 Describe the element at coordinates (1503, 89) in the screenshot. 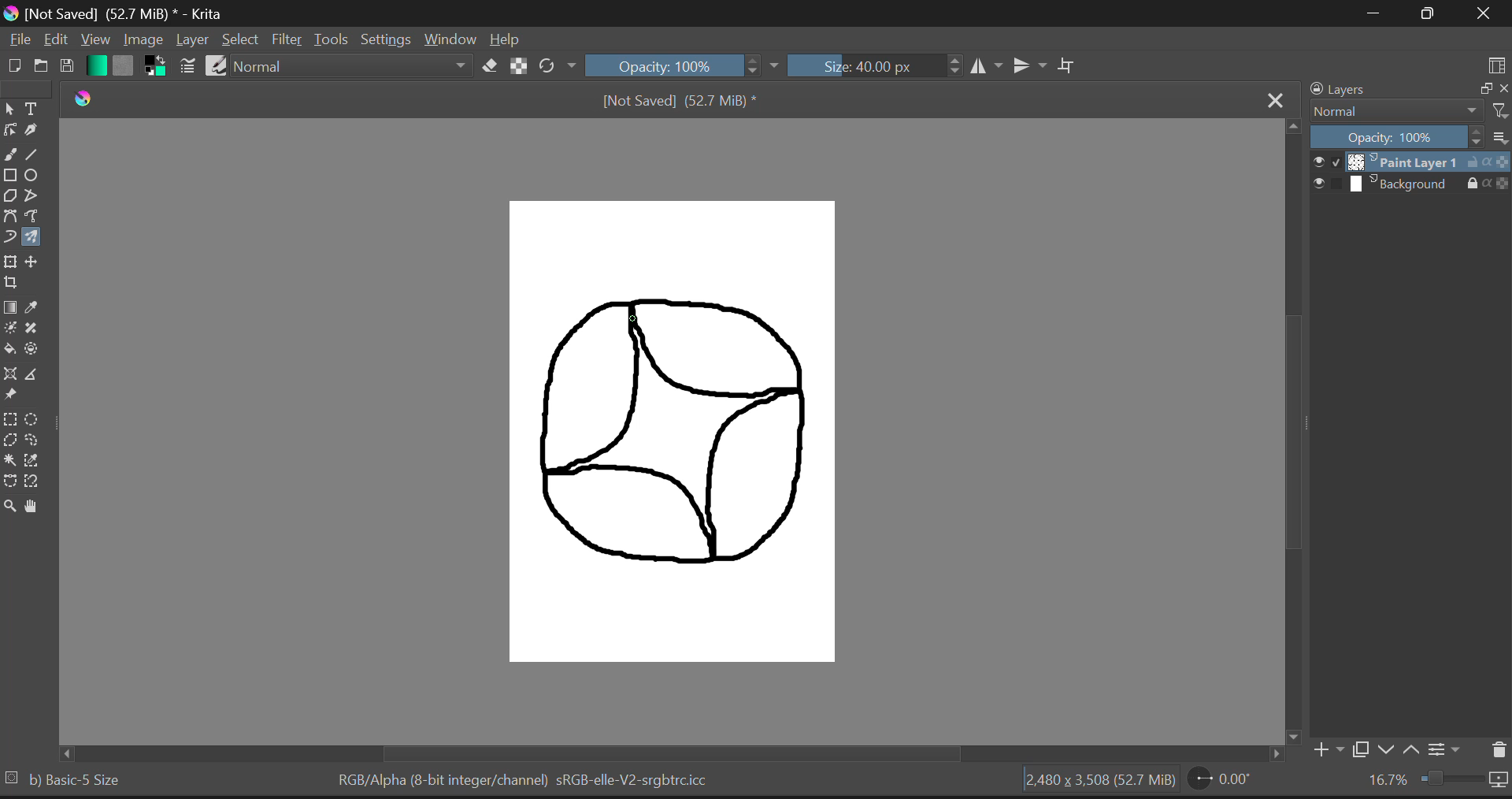

I see `close` at that location.